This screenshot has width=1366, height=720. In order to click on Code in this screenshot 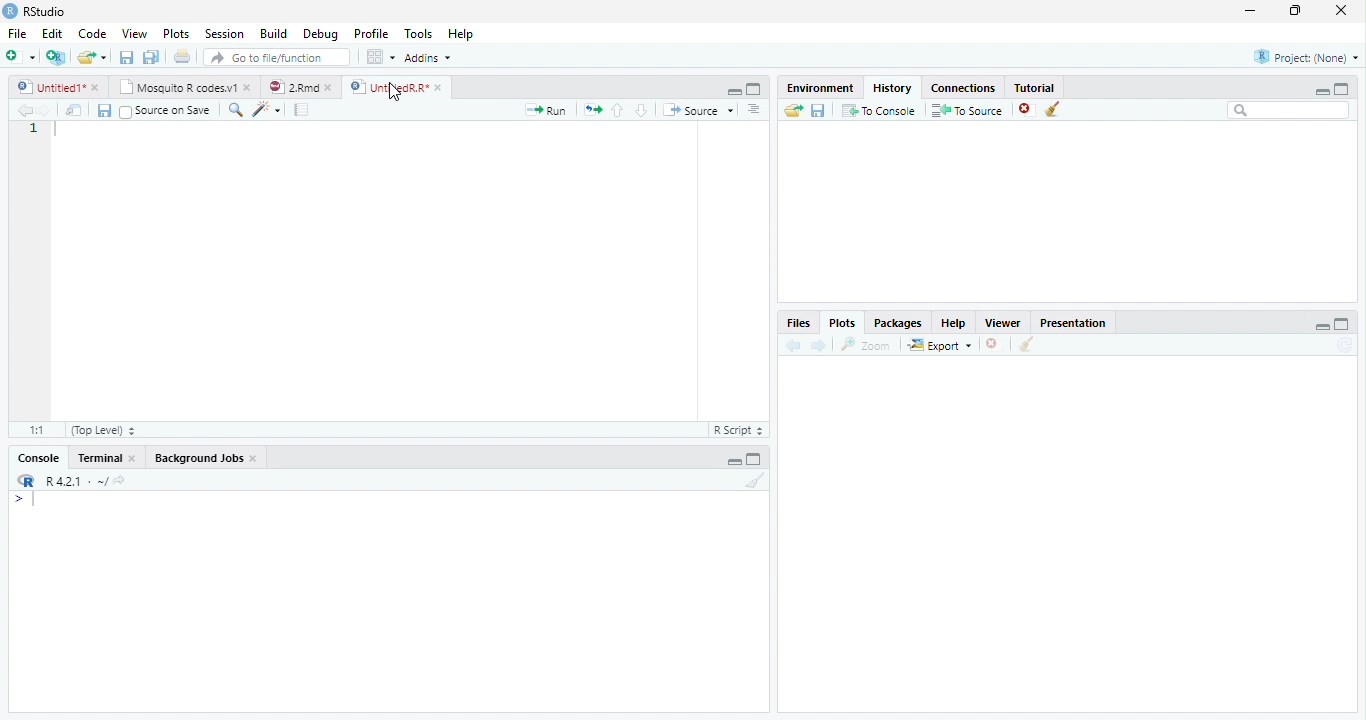, I will do `click(91, 33)`.